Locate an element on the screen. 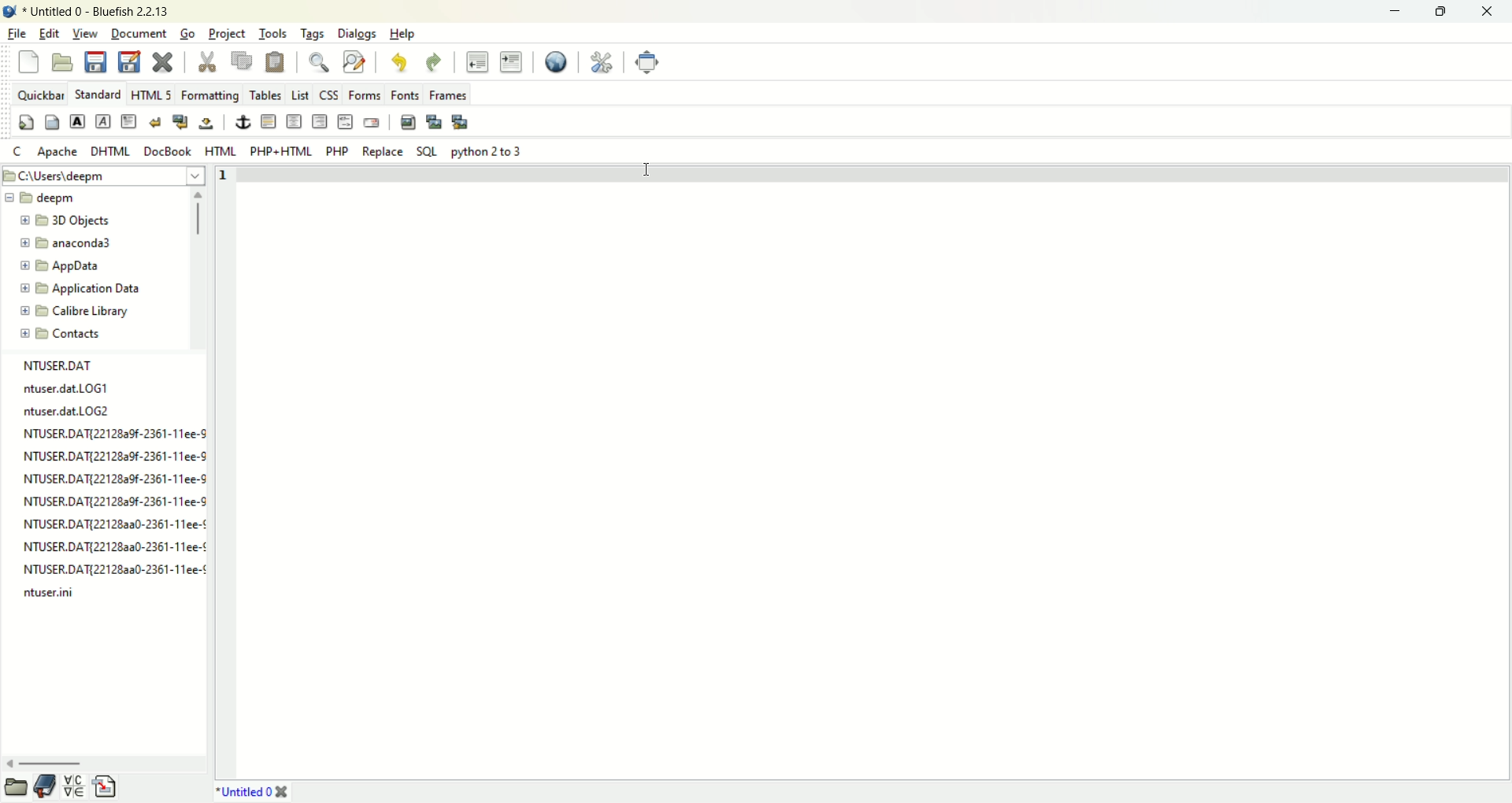 This screenshot has width=1512, height=803. python 2 to 3 is located at coordinates (489, 152).